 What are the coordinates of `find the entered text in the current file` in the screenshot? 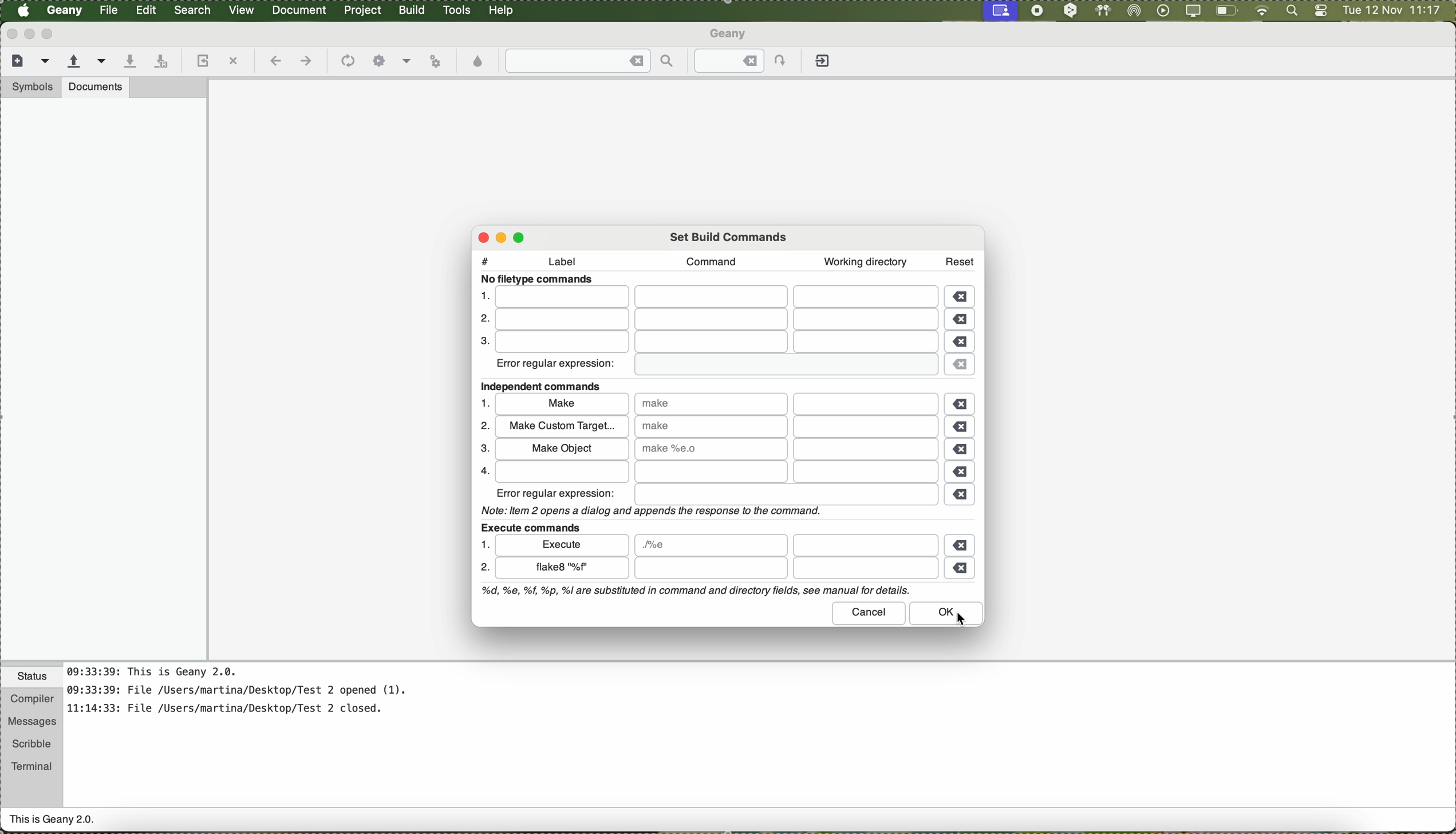 It's located at (590, 61).